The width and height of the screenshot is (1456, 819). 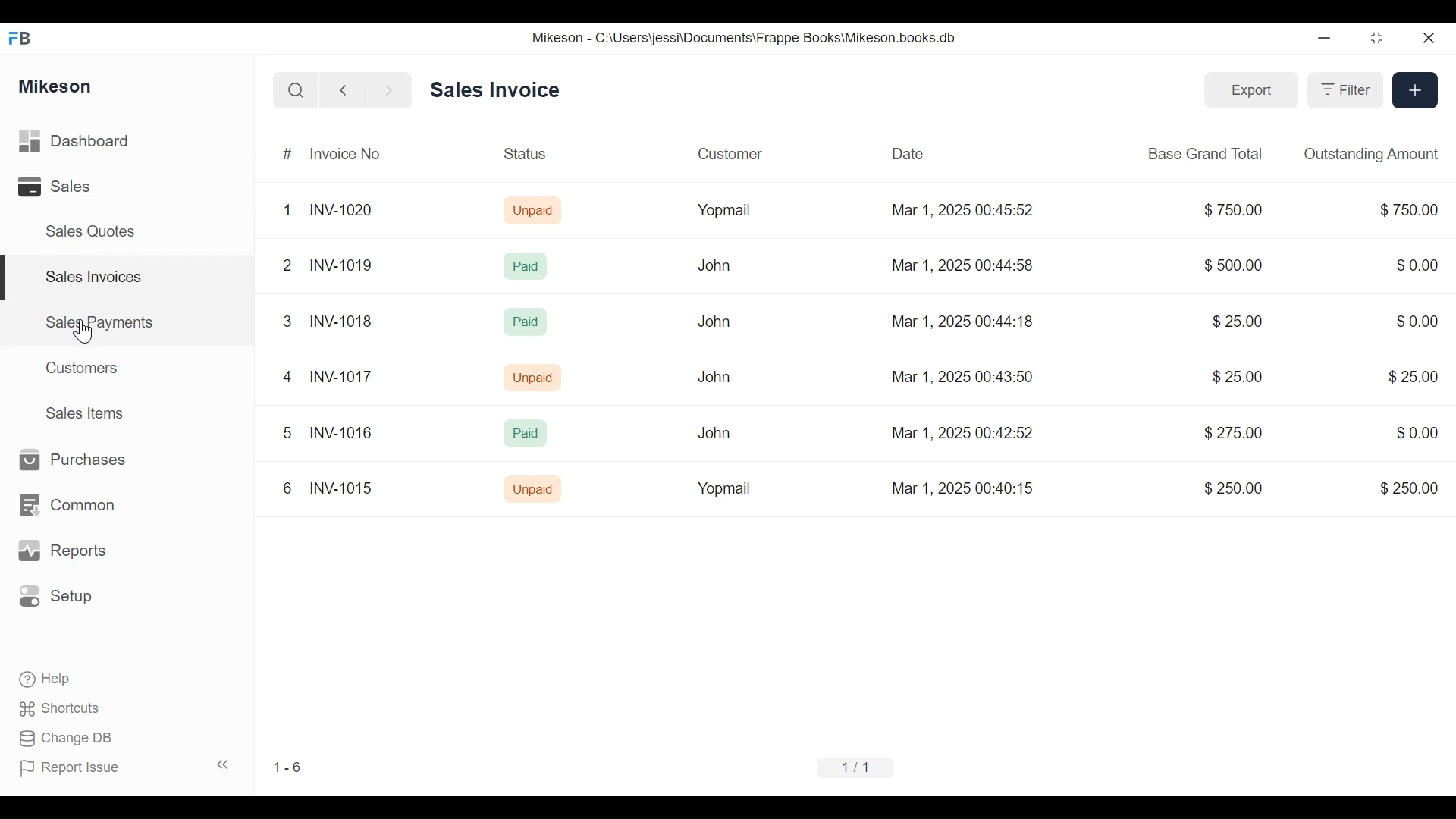 I want to click on Sales, so click(x=53, y=188).